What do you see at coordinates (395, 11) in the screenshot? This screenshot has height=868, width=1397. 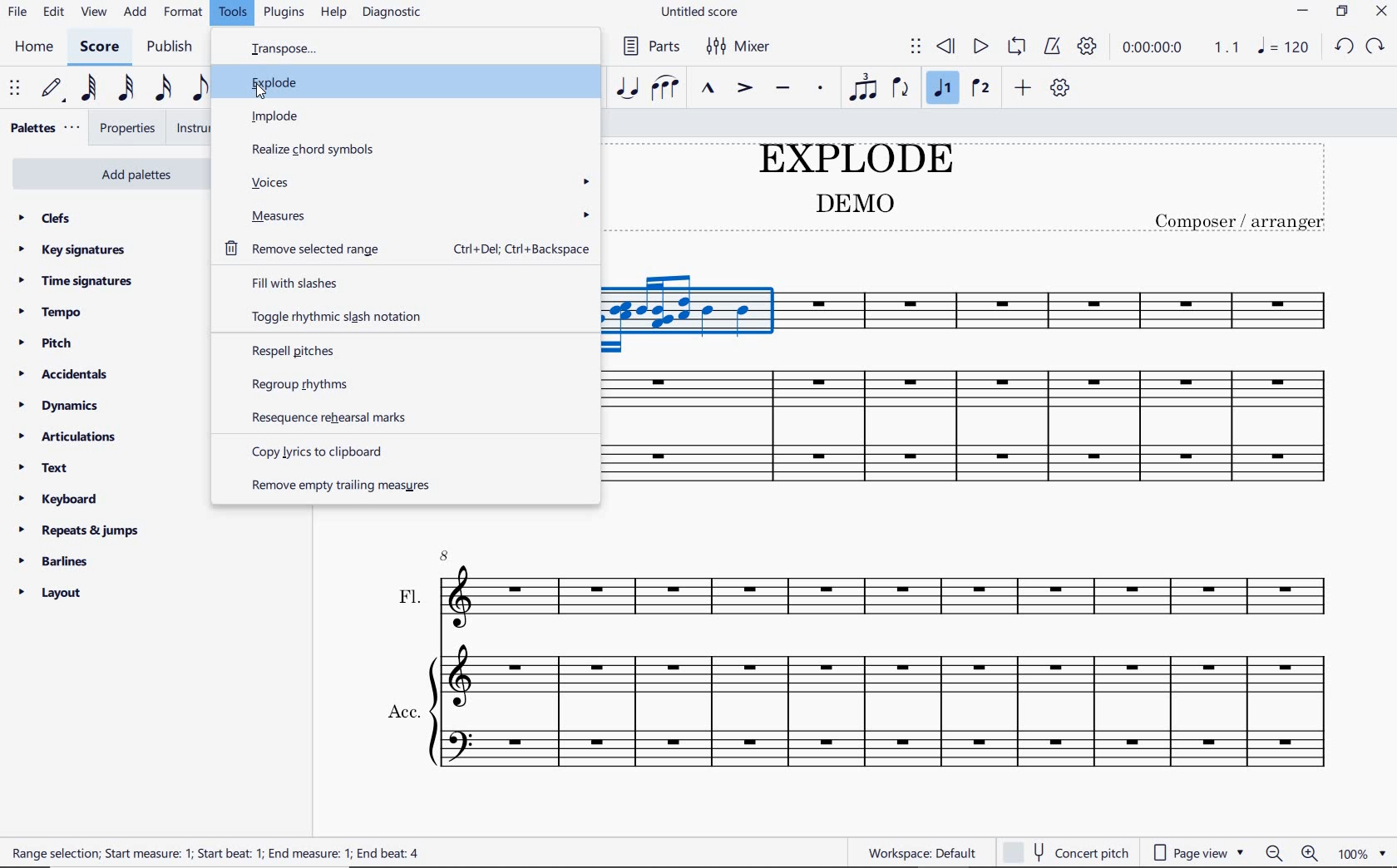 I see `diagnostic` at bounding box center [395, 11].